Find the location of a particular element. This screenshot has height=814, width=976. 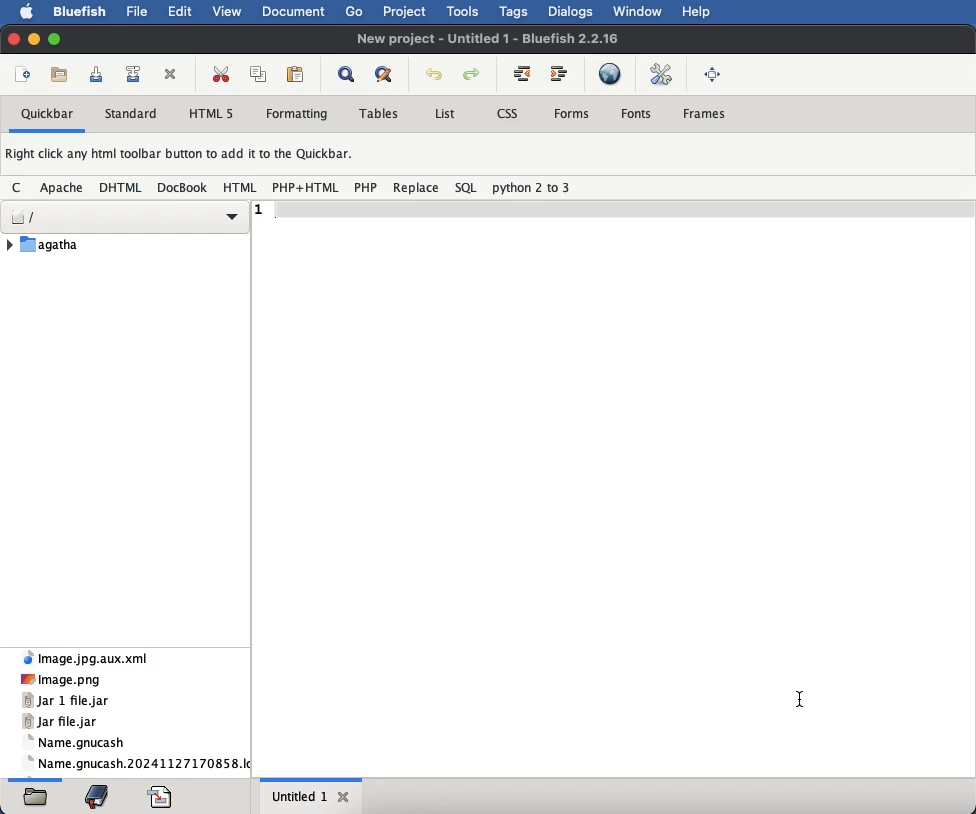

advanced find and replace is located at coordinates (385, 75).